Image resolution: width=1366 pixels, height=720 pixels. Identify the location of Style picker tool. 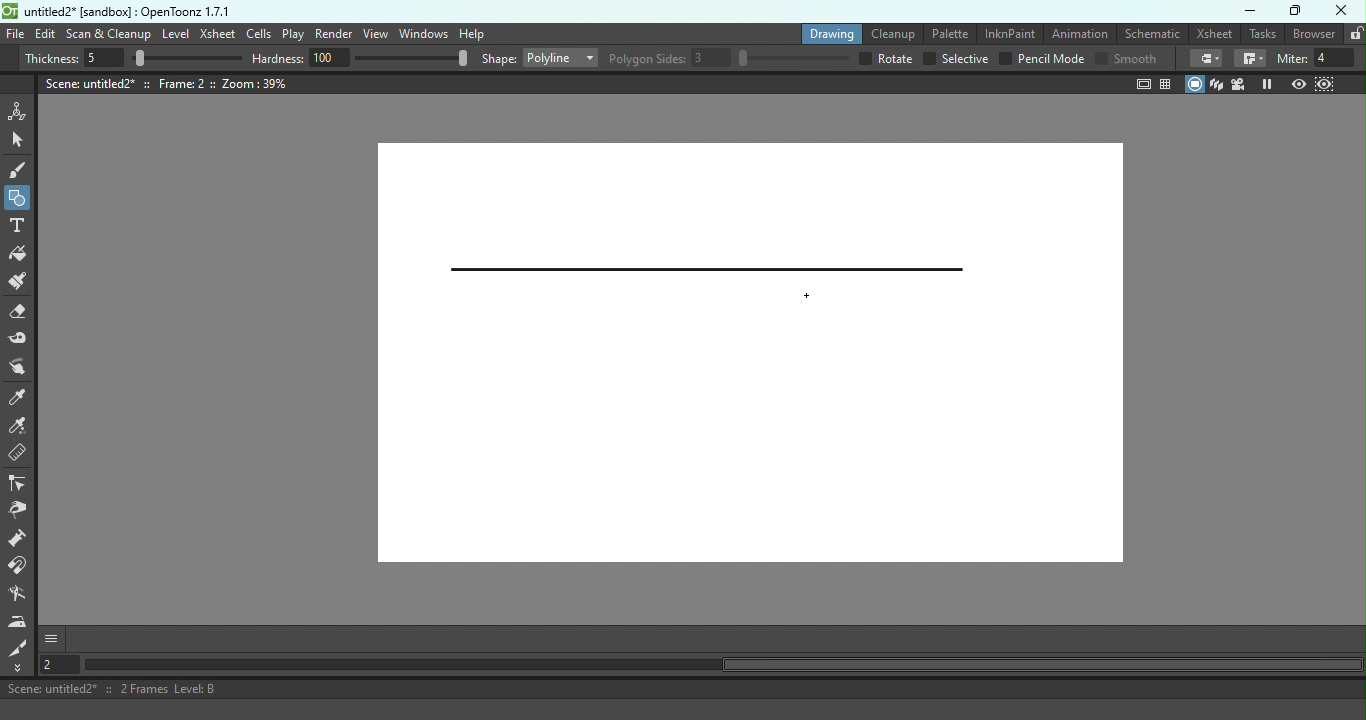
(20, 398).